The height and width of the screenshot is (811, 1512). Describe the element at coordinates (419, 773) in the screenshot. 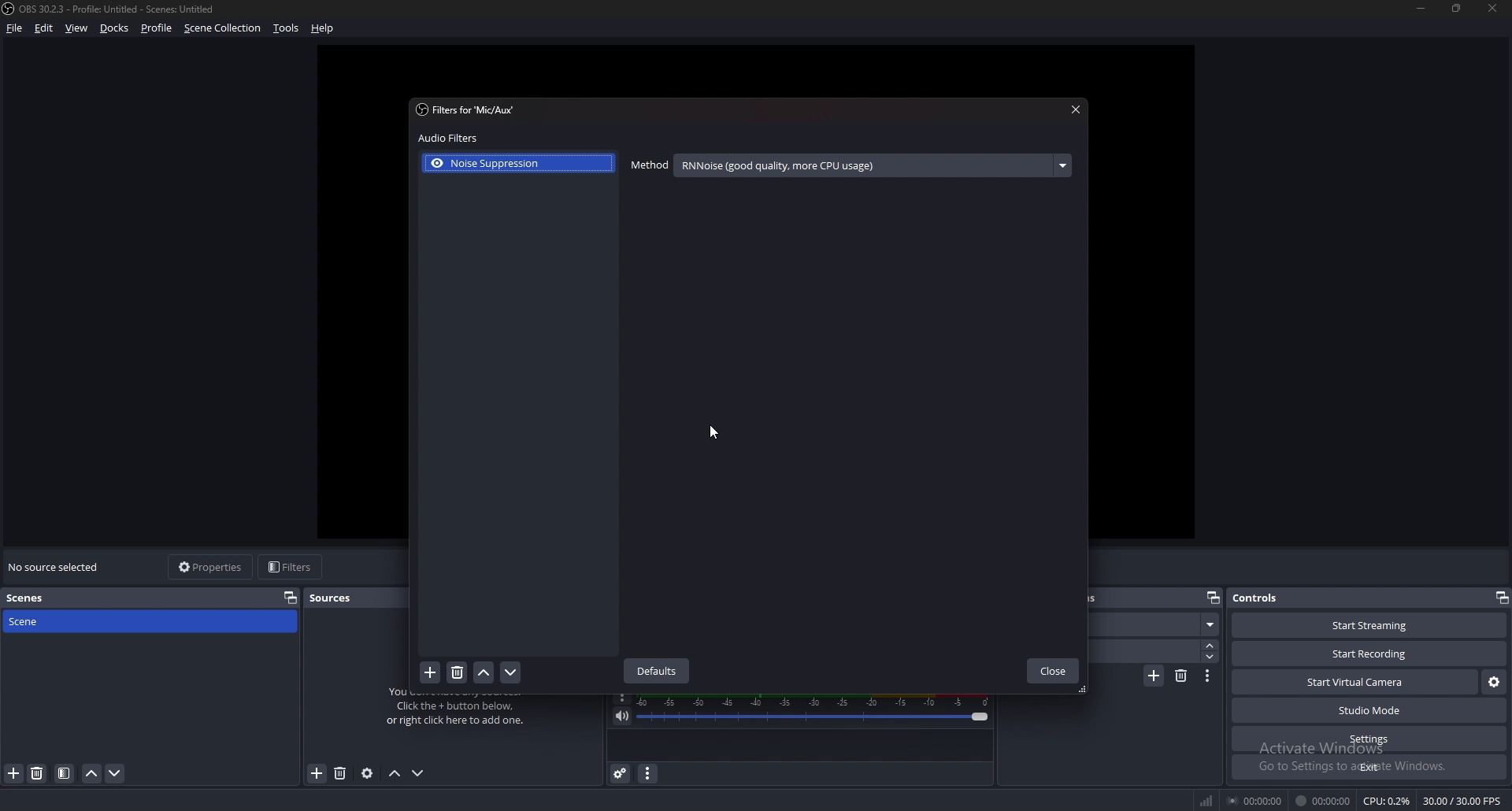

I see `move source down` at that location.